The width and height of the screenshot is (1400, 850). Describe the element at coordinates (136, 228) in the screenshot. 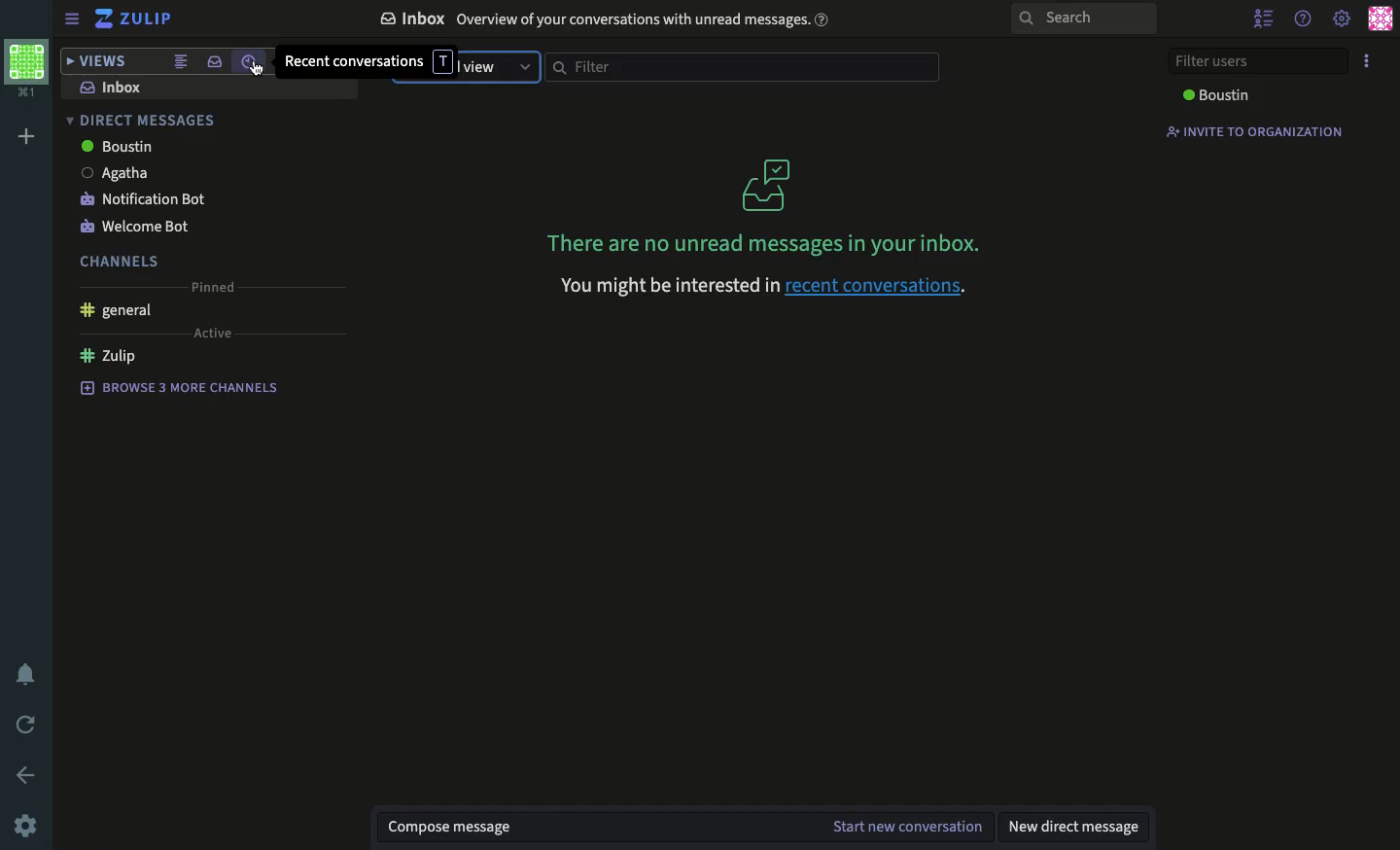

I see `welcome bot` at that location.